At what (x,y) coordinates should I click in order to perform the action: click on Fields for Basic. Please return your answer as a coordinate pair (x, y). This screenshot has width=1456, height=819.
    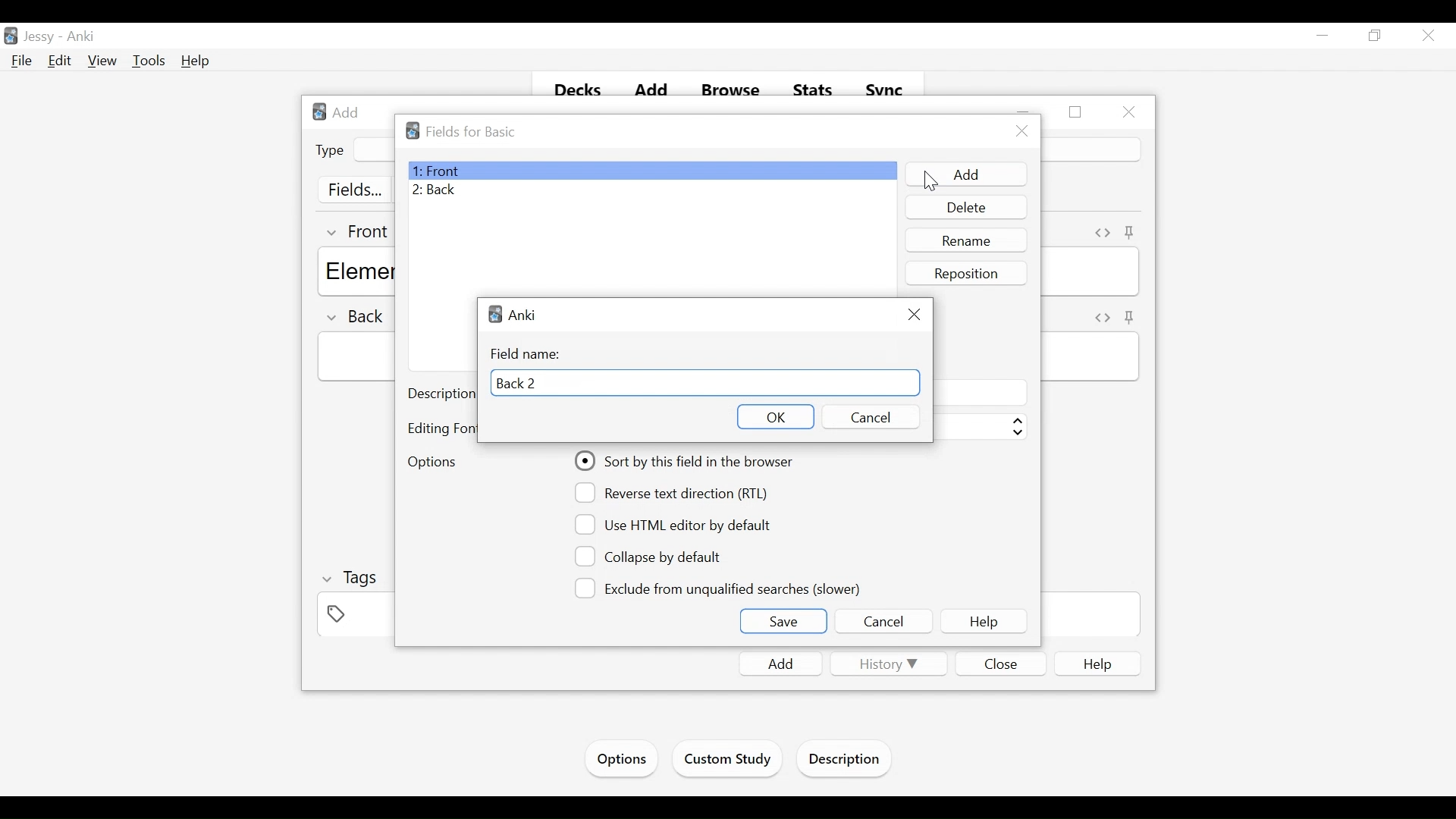
    Looking at the image, I should click on (468, 131).